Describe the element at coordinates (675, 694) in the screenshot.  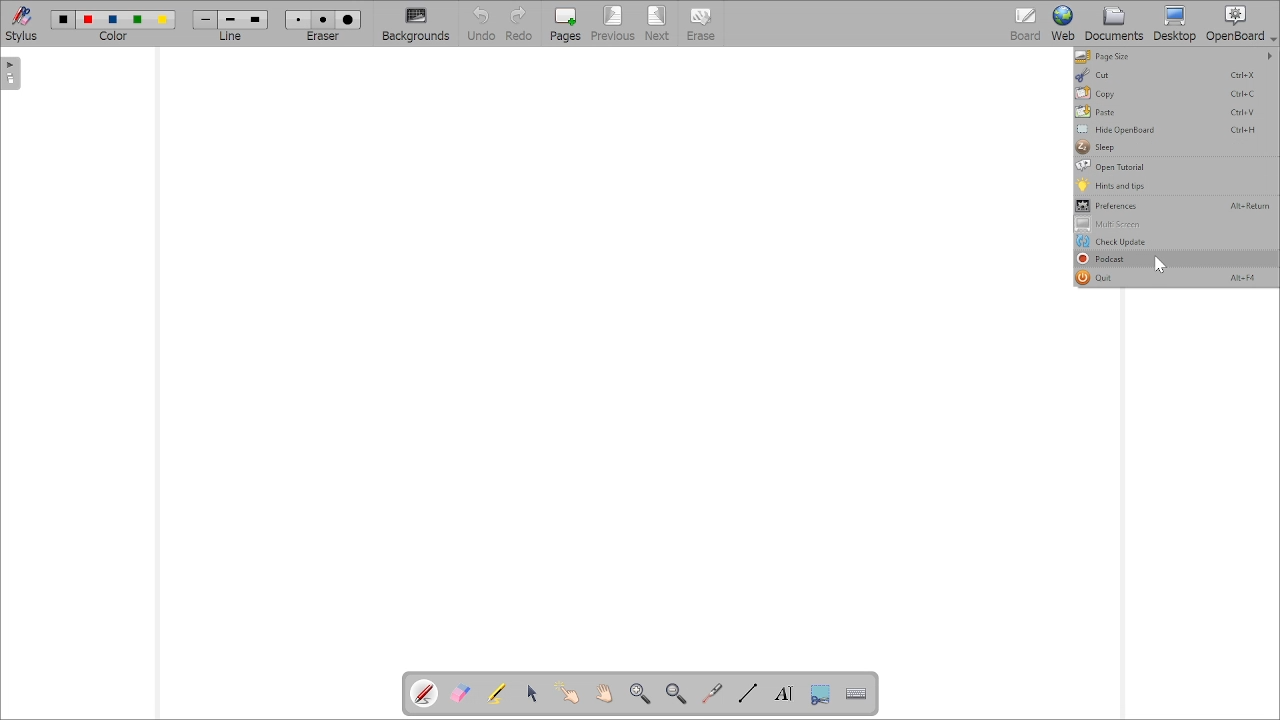
I see `Zoom out` at that location.